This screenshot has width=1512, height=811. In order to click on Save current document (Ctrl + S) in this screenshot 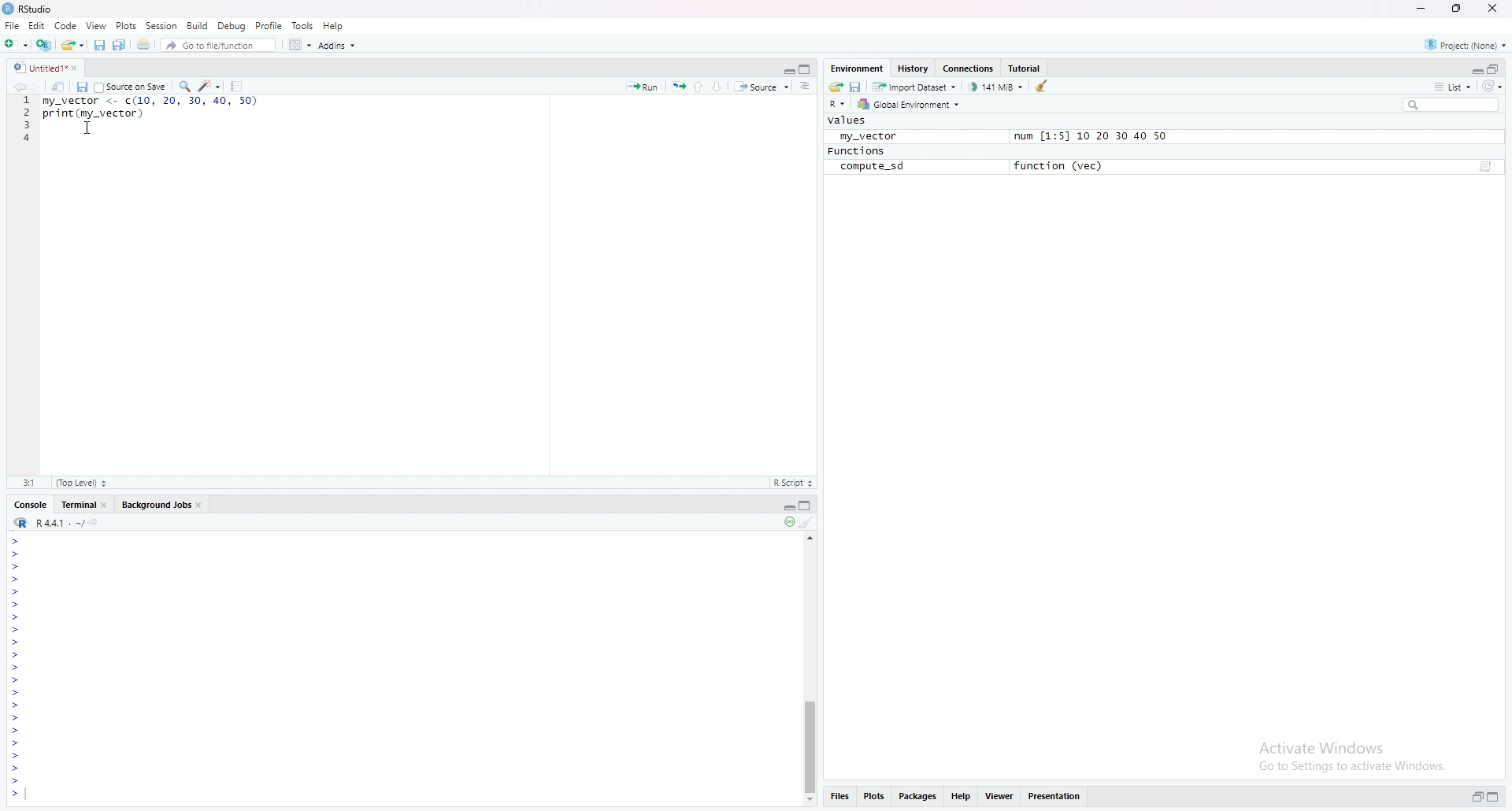, I will do `click(82, 87)`.